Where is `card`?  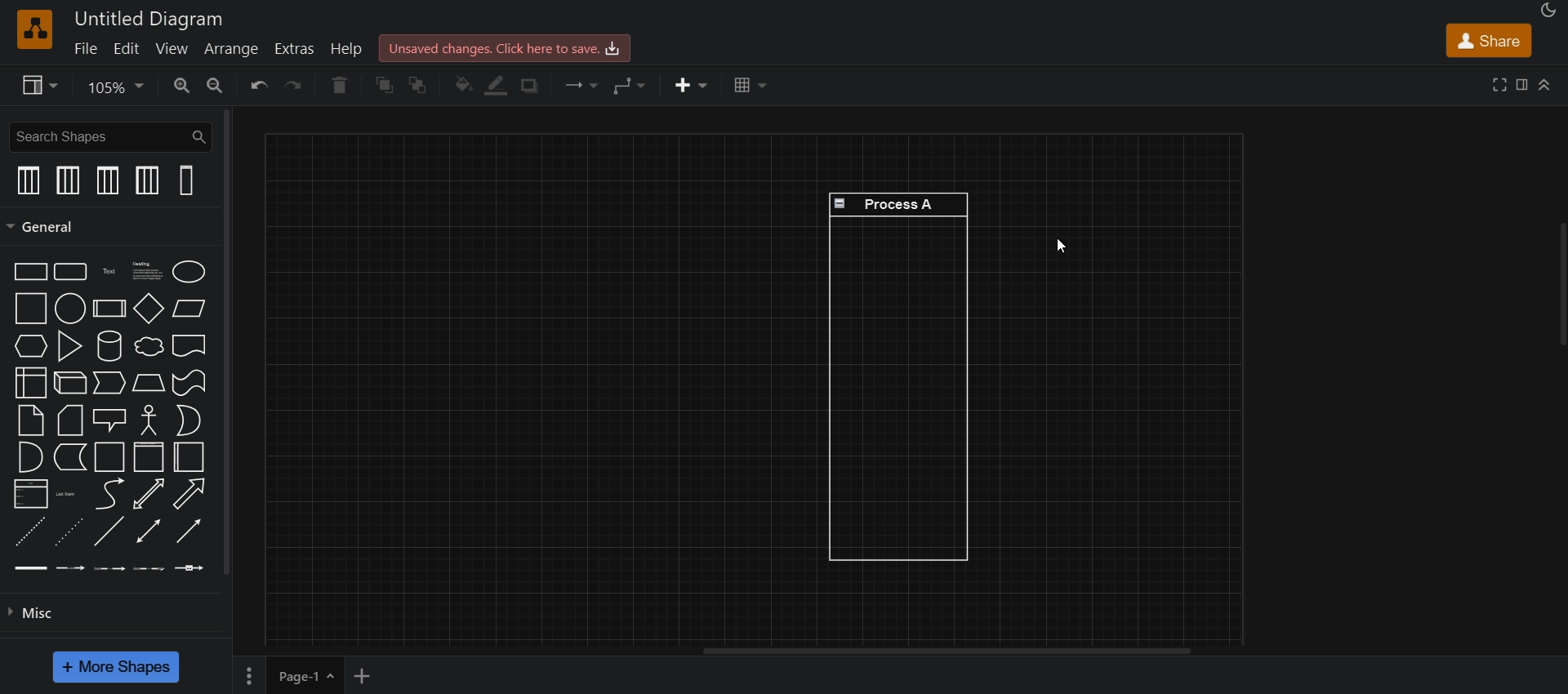
card is located at coordinates (69, 421).